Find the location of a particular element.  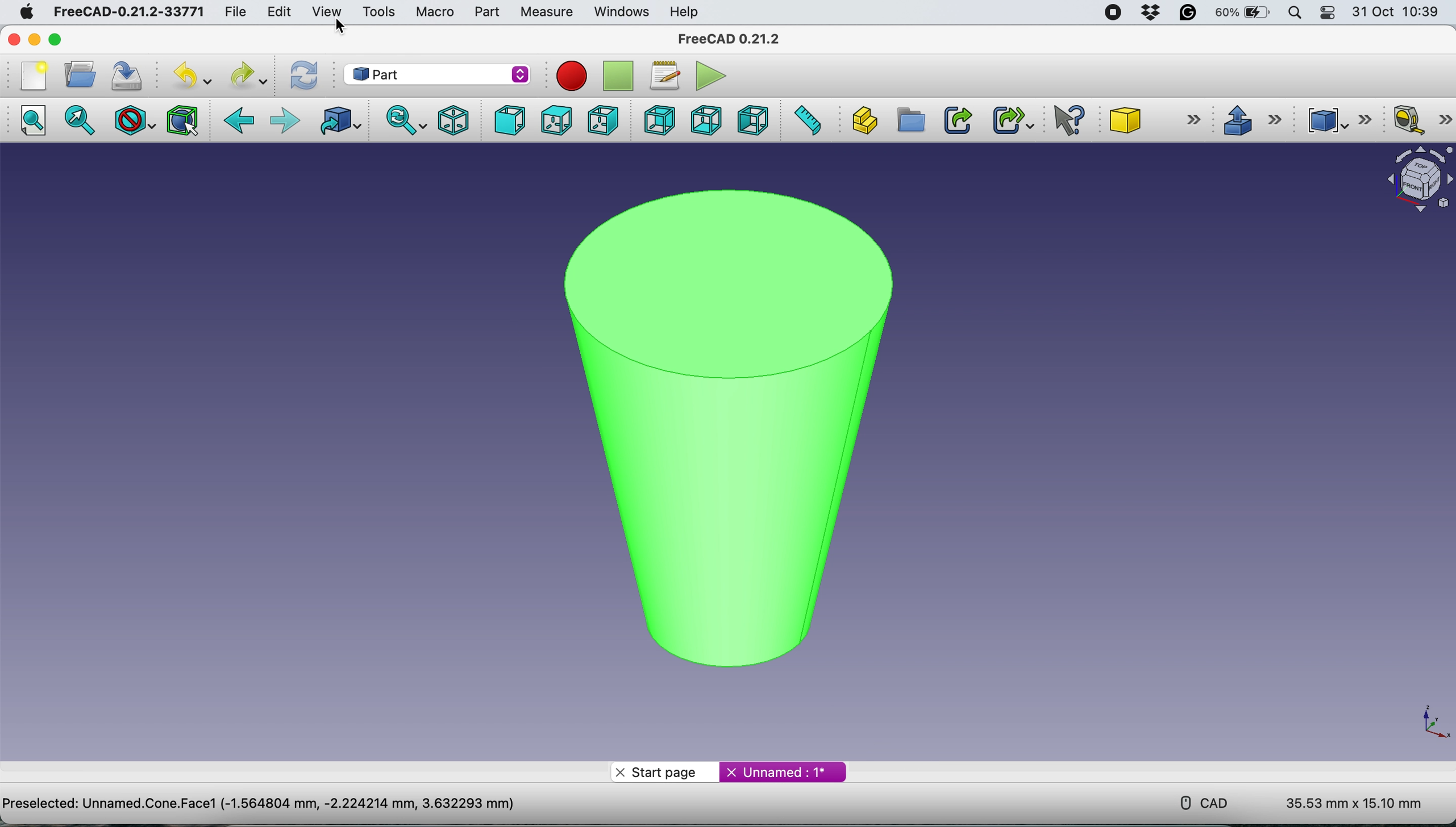

front is located at coordinates (507, 121).